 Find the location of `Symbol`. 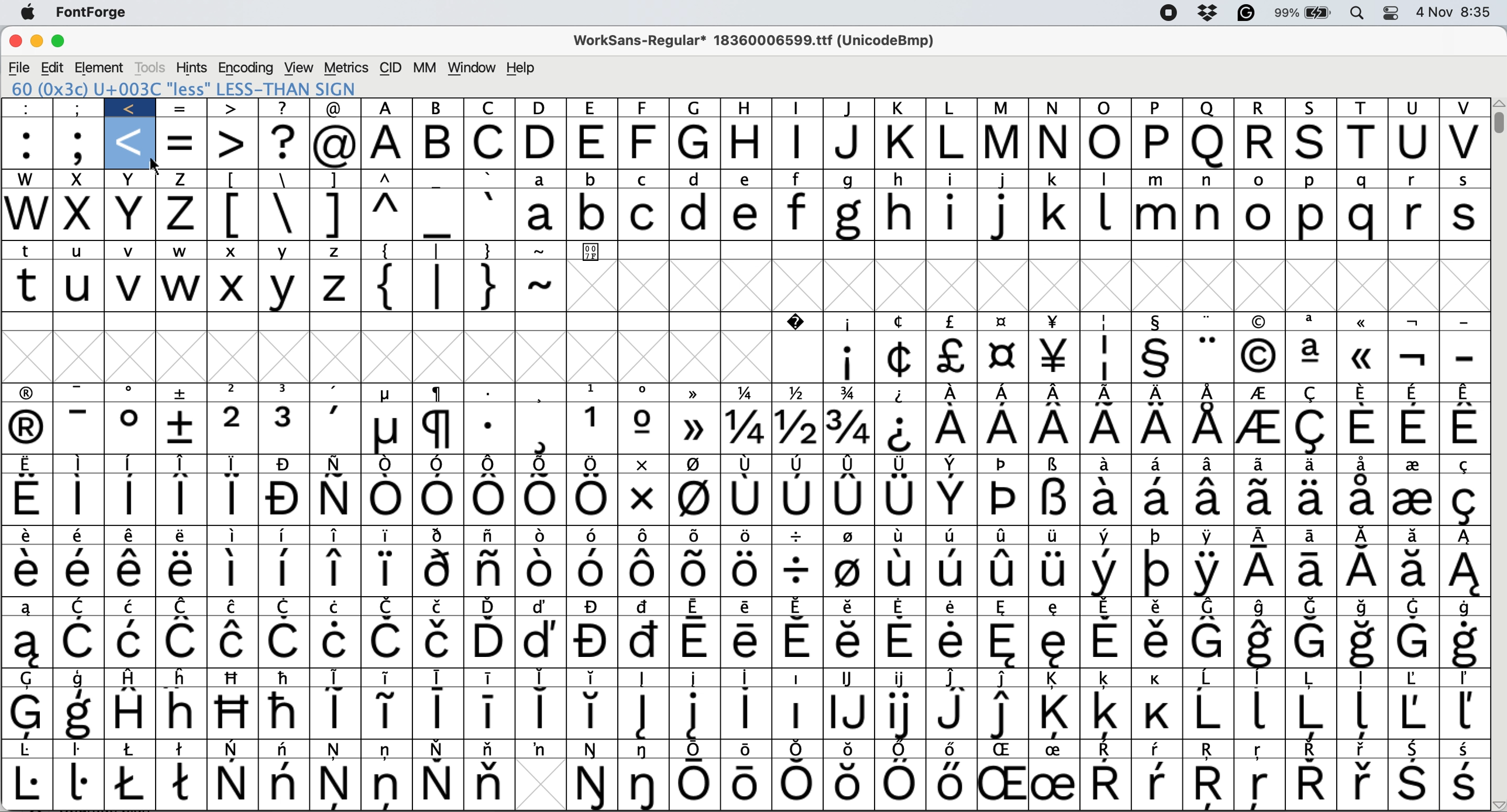

Symbol is located at coordinates (1413, 358).